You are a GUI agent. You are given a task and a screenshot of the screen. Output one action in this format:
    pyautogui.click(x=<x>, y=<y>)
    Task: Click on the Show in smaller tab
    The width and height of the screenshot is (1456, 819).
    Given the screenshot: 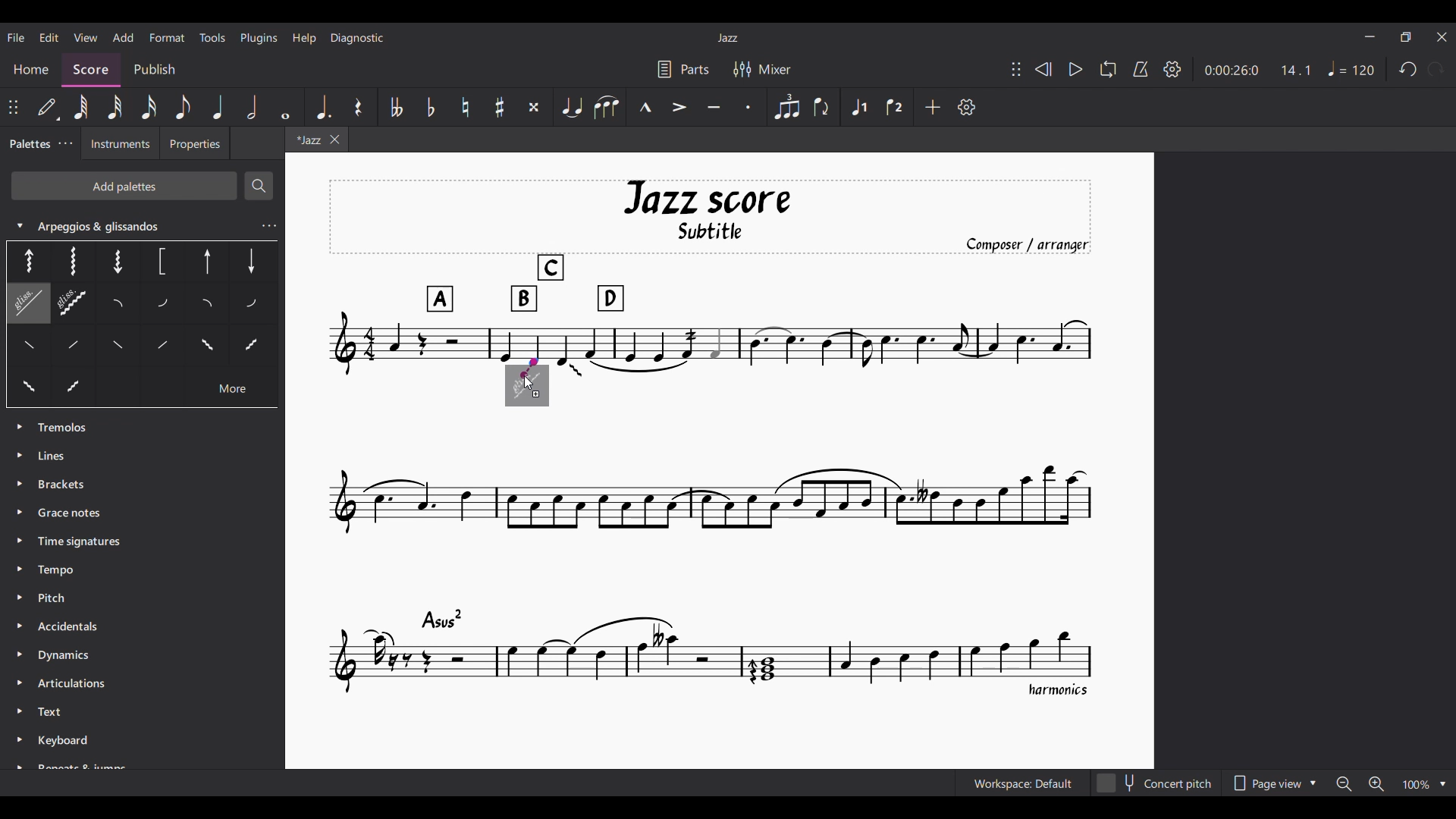 What is the action you would take?
    pyautogui.click(x=1406, y=37)
    